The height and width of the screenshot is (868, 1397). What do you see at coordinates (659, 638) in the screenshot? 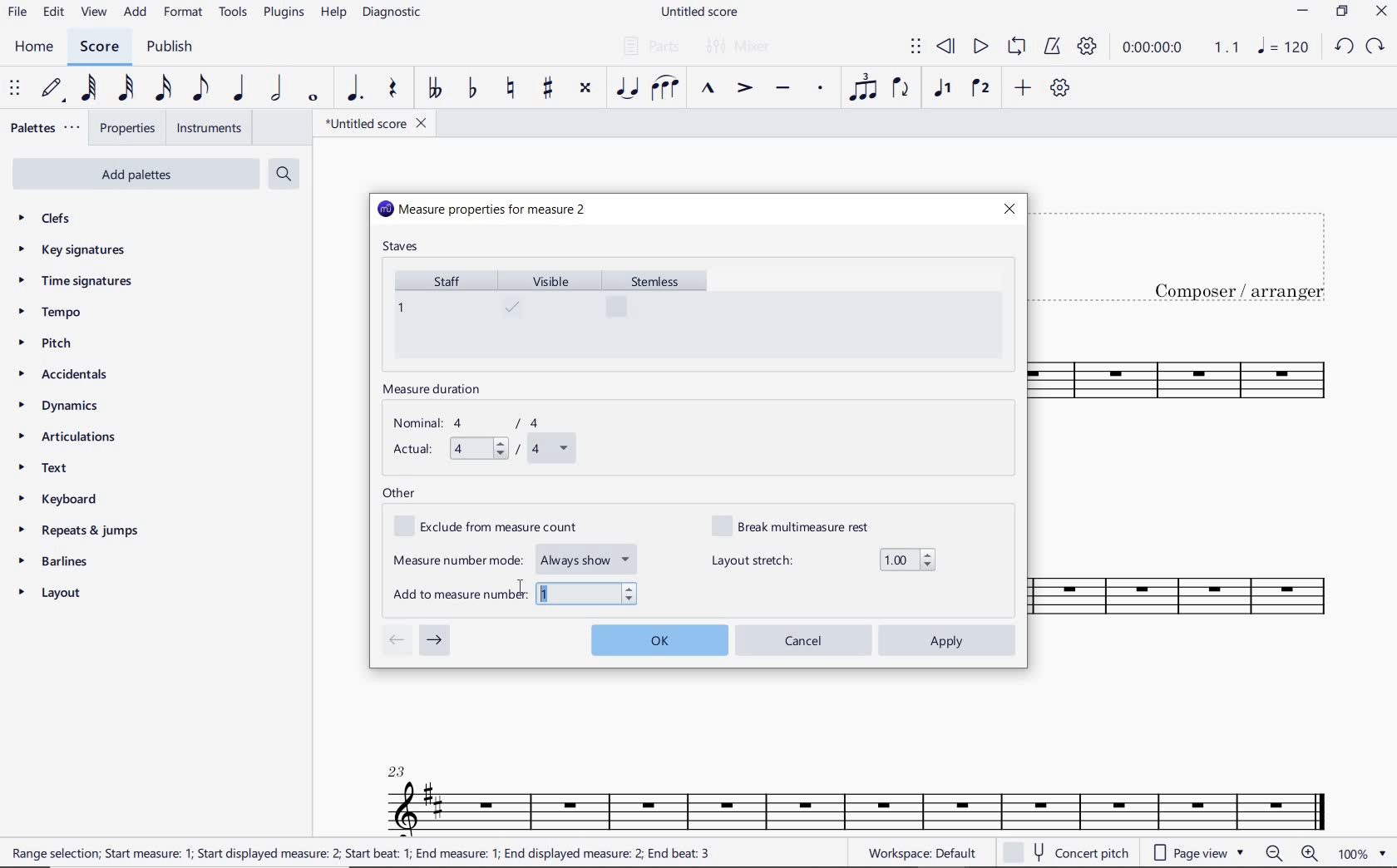
I see `ok` at bounding box center [659, 638].